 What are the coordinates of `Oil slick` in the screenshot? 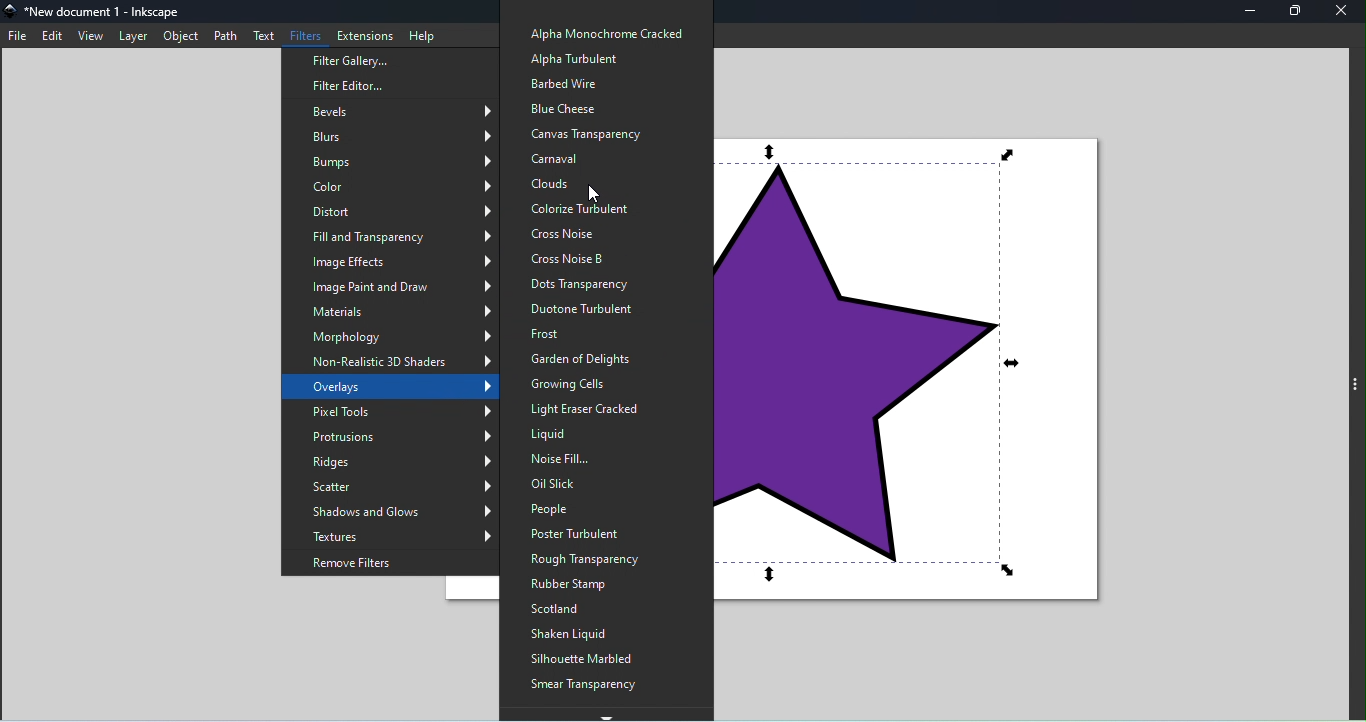 It's located at (603, 484).